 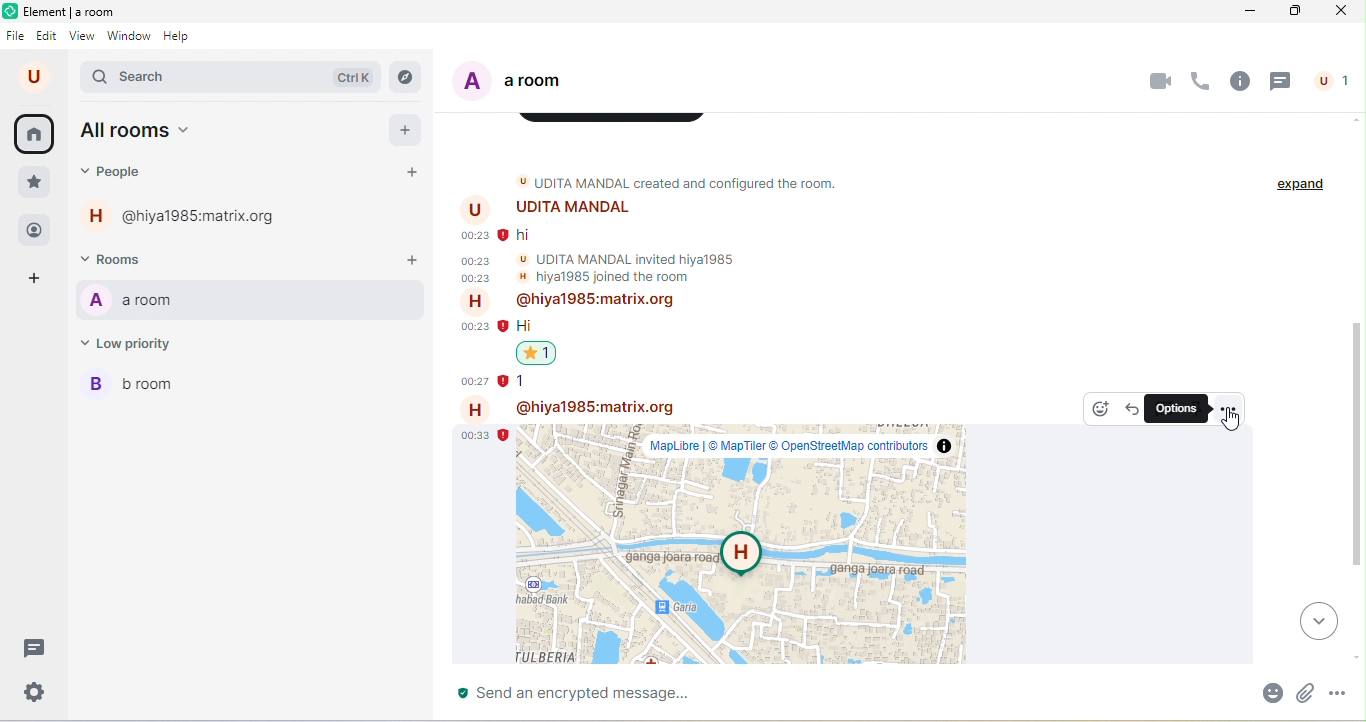 I want to click on vertical scroll bar, so click(x=1353, y=441).